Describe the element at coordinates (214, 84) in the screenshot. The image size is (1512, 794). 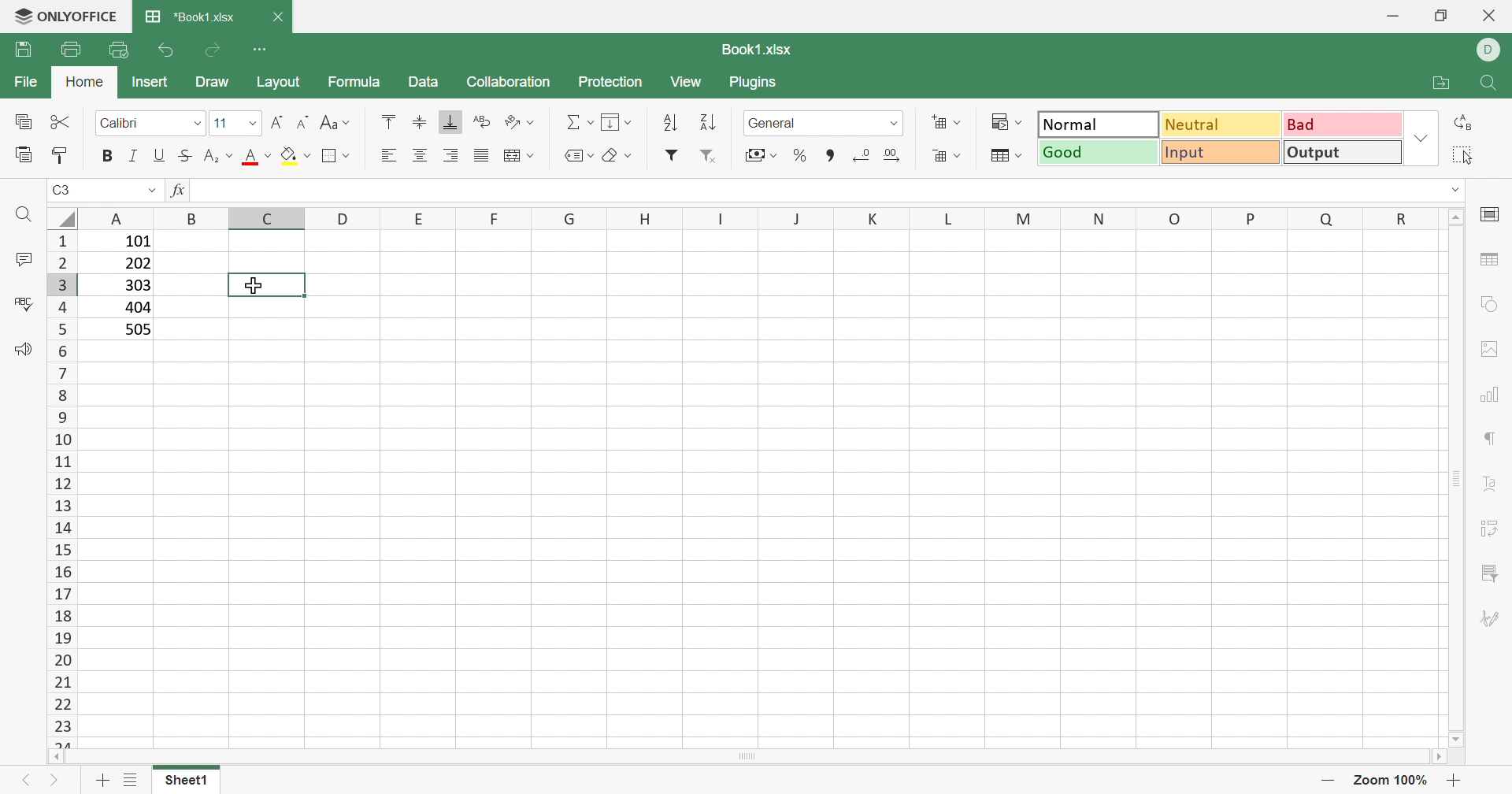
I see `Draw` at that location.